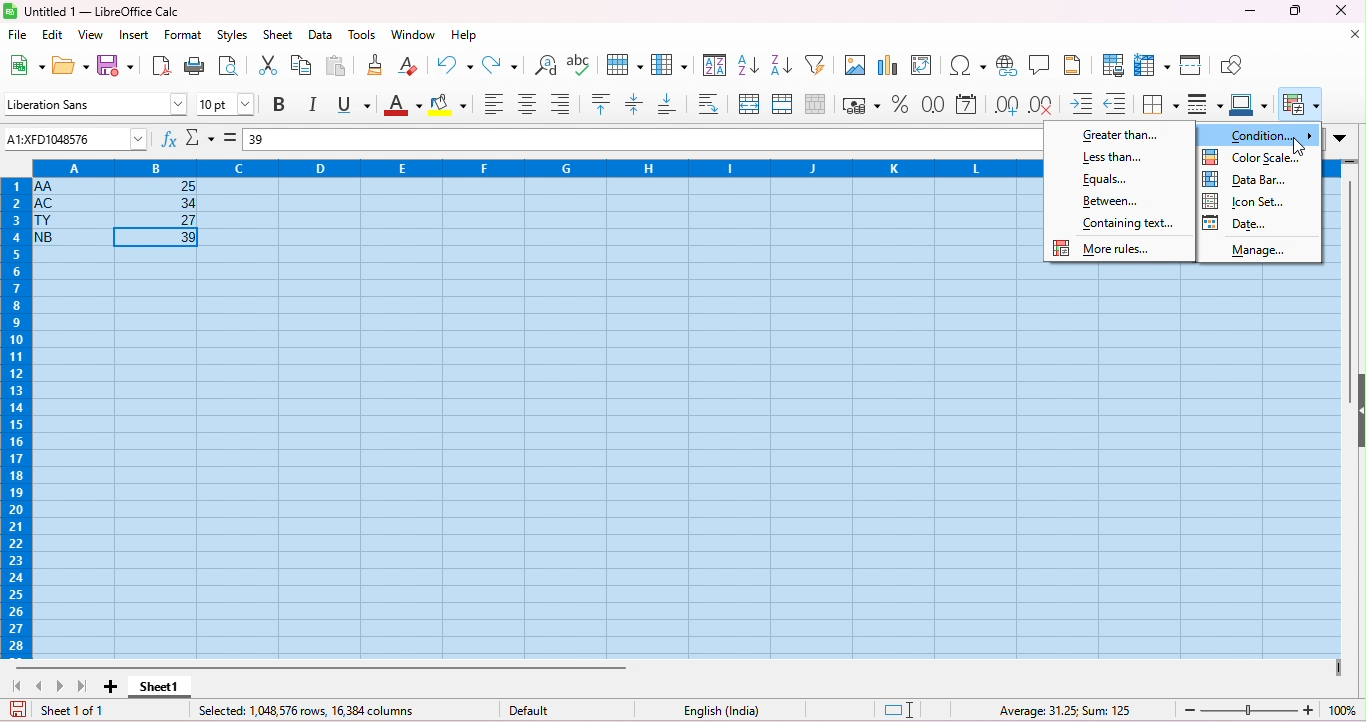 This screenshot has width=1366, height=722. I want to click on undo, so click(456, 64).